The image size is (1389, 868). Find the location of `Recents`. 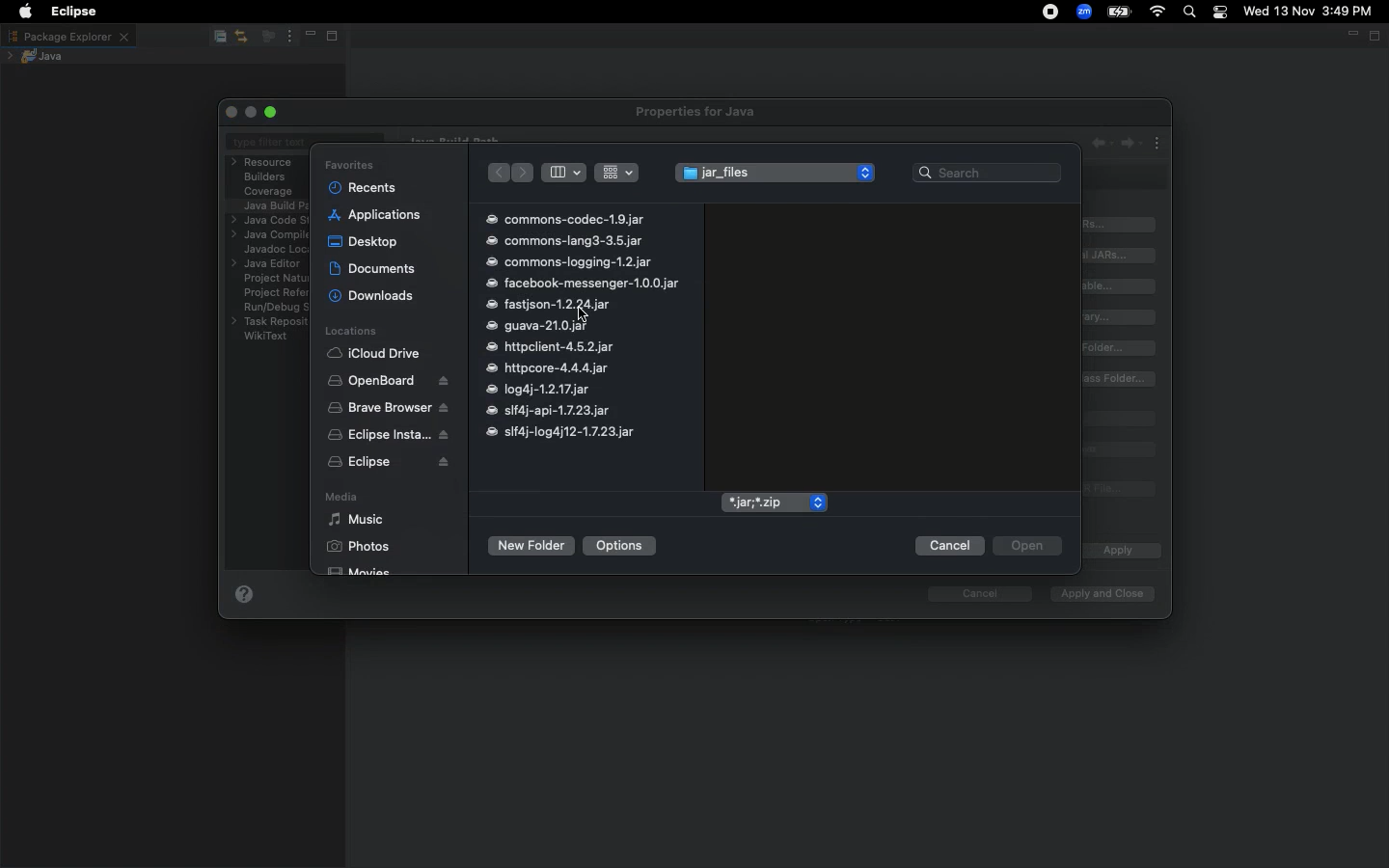

Recents is located at coordinates (364, 187).